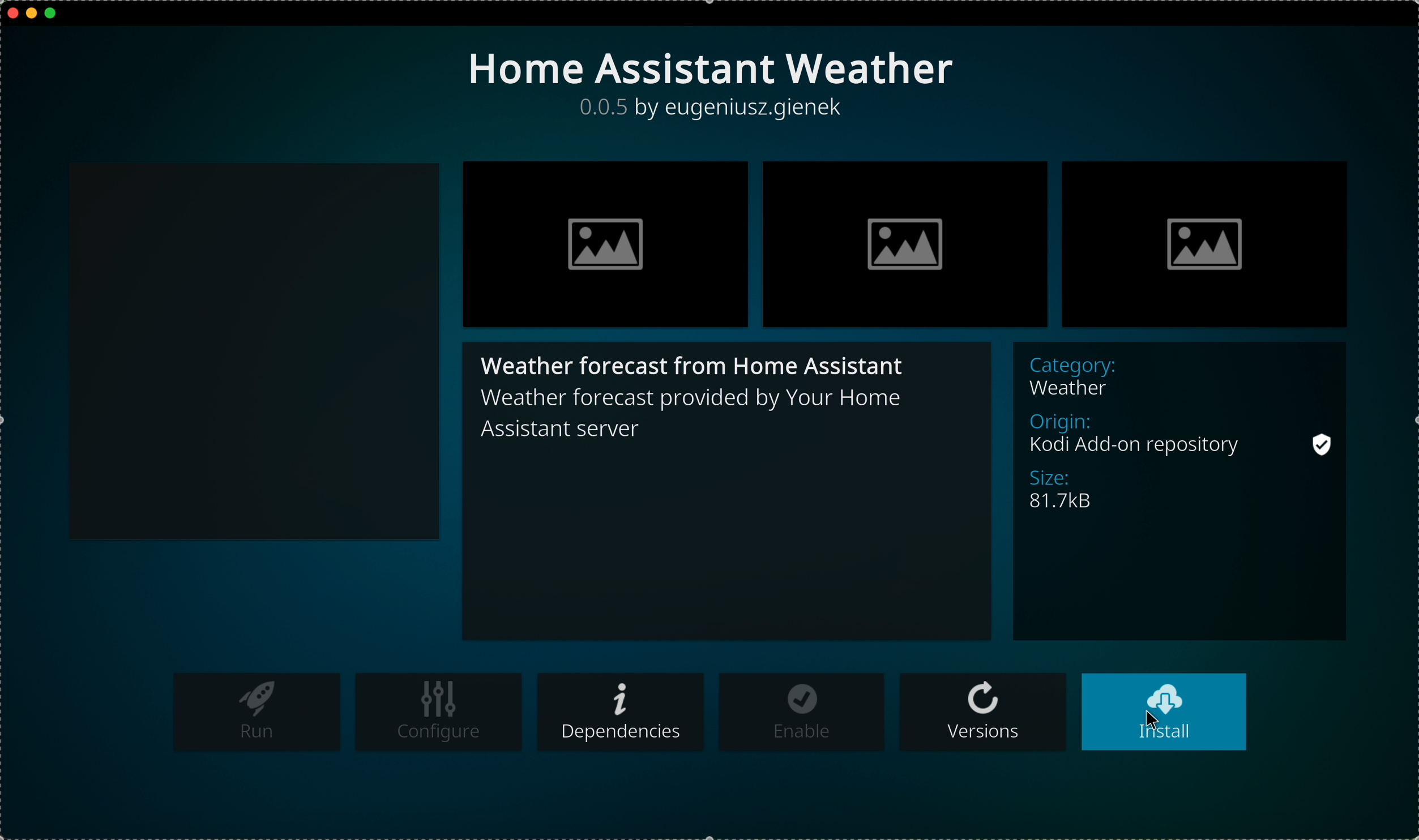 Image resolution: width=1419 pixels, height=840 pixels. What do you see at coordinates (981, 712) in the screenshot?
I see `versions` at bounding box center [981, 712].